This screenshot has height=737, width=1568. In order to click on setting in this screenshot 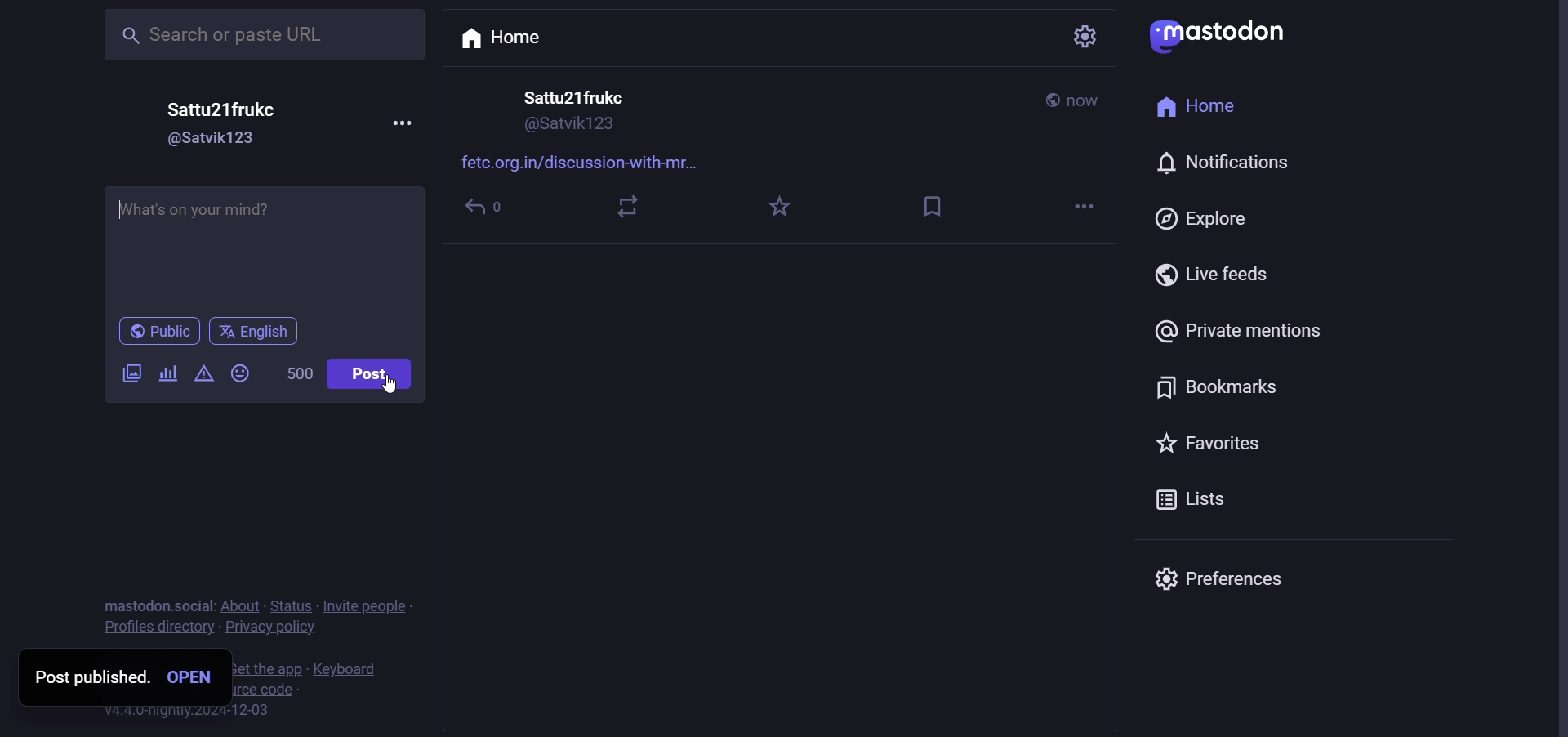, I will do `click(1077, 37)`.